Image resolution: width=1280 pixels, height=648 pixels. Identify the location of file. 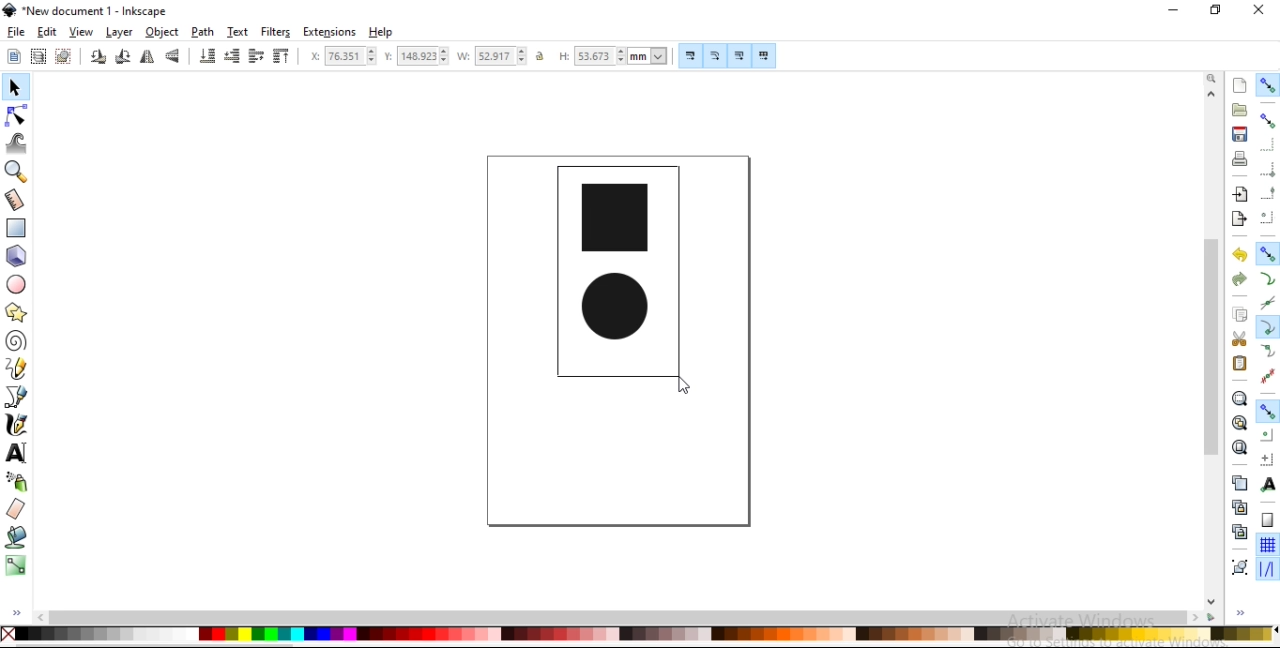
(17, 32).